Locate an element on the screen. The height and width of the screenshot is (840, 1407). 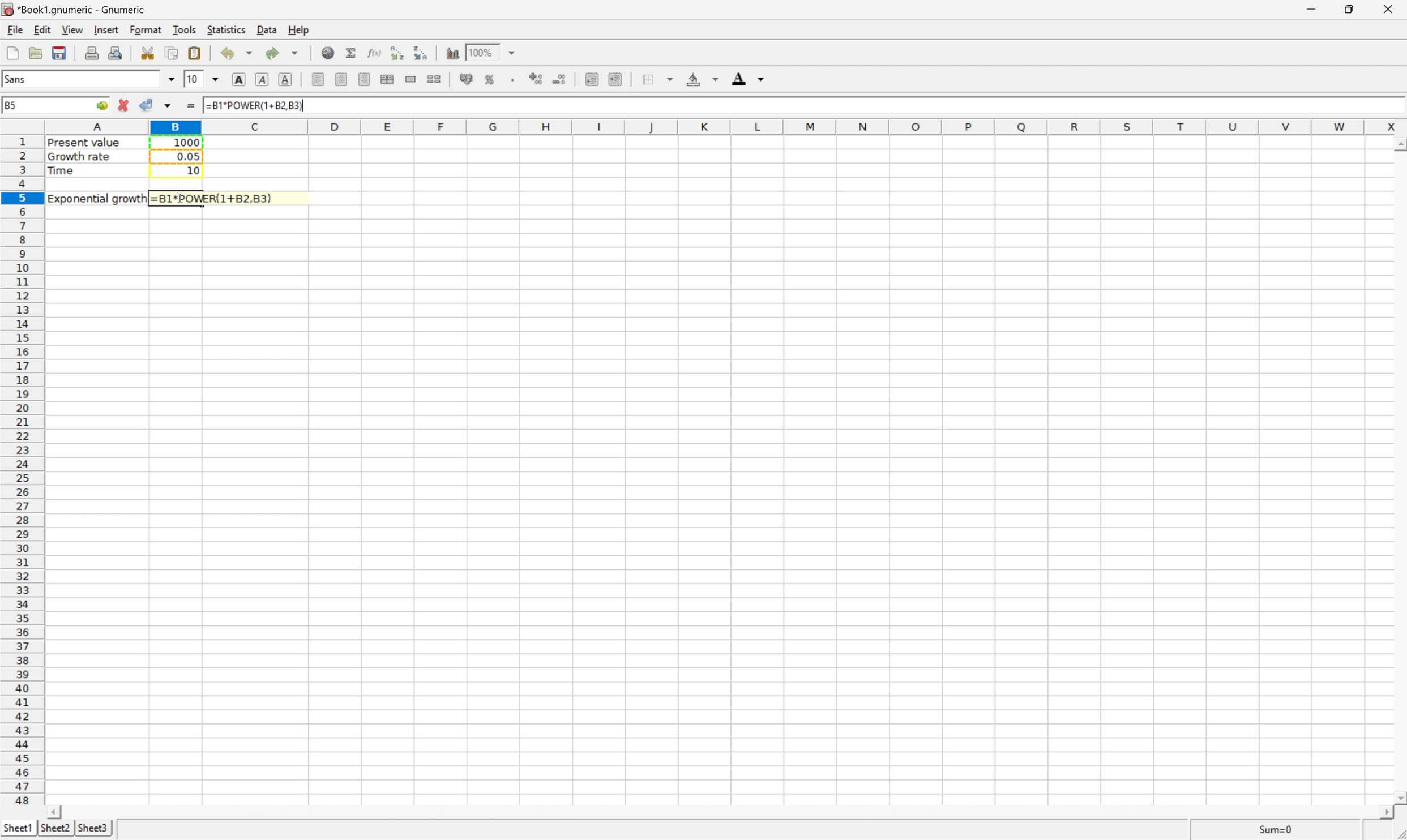
Copy the selection is located at coordinates (172, 52).